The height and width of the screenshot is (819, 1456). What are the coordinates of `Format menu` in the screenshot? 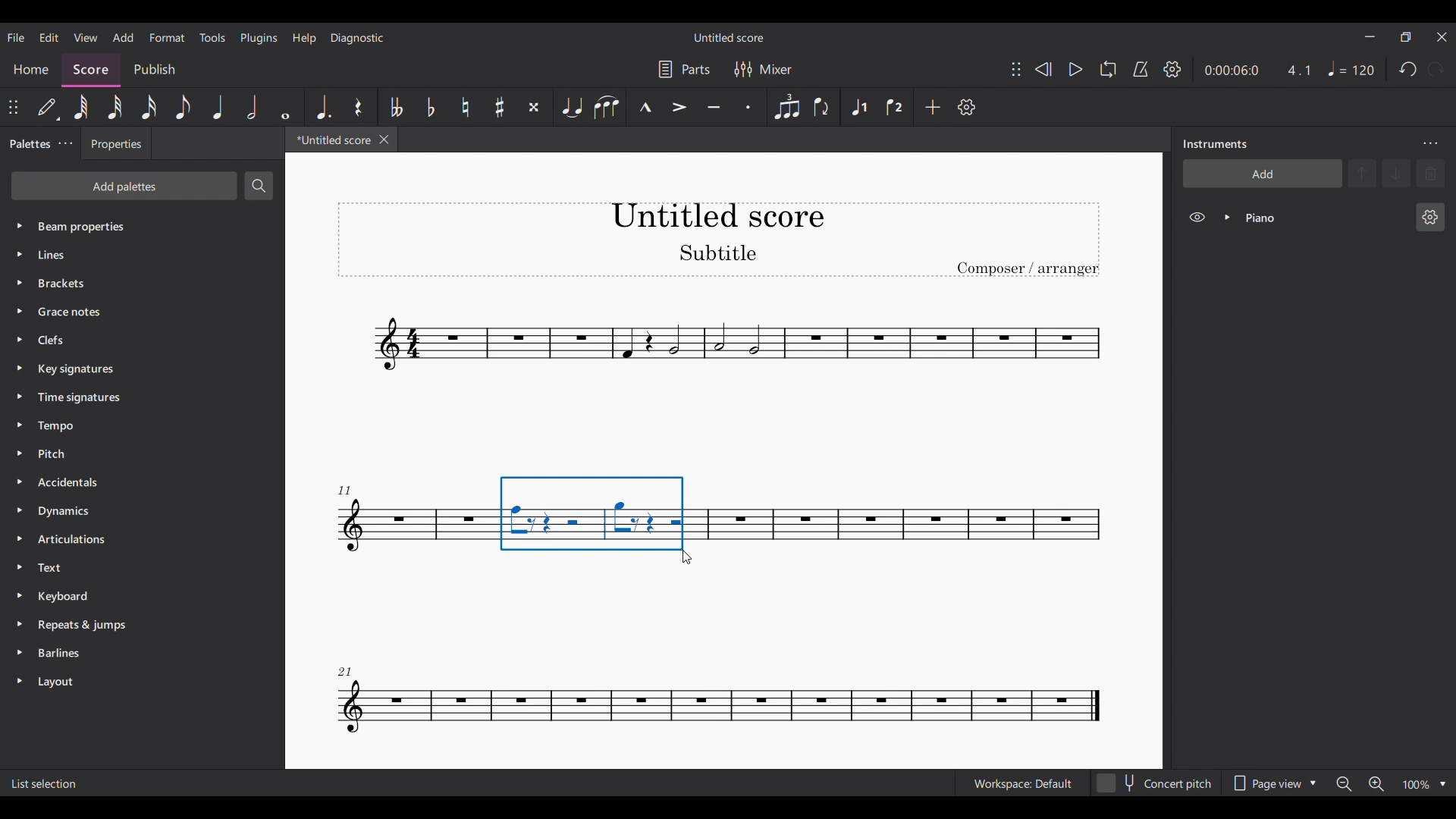 It's located at (167, 37).